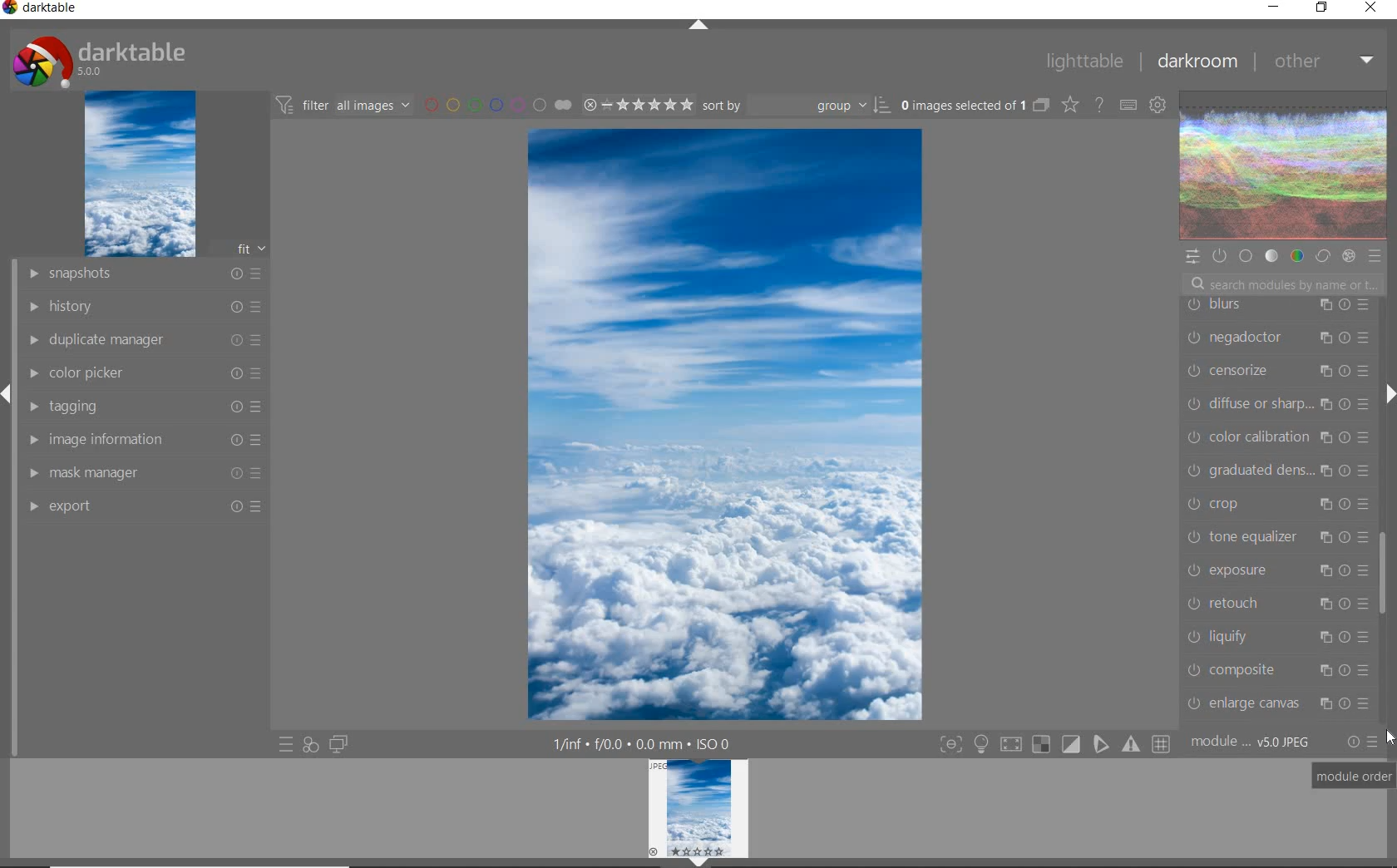 The image size is (1397, 868). What do you see at coordinates (1220, 255) in the screenshot?
I see `SHOW ONLY ACTIVE MODULES` at bounding box center [1220, 255].